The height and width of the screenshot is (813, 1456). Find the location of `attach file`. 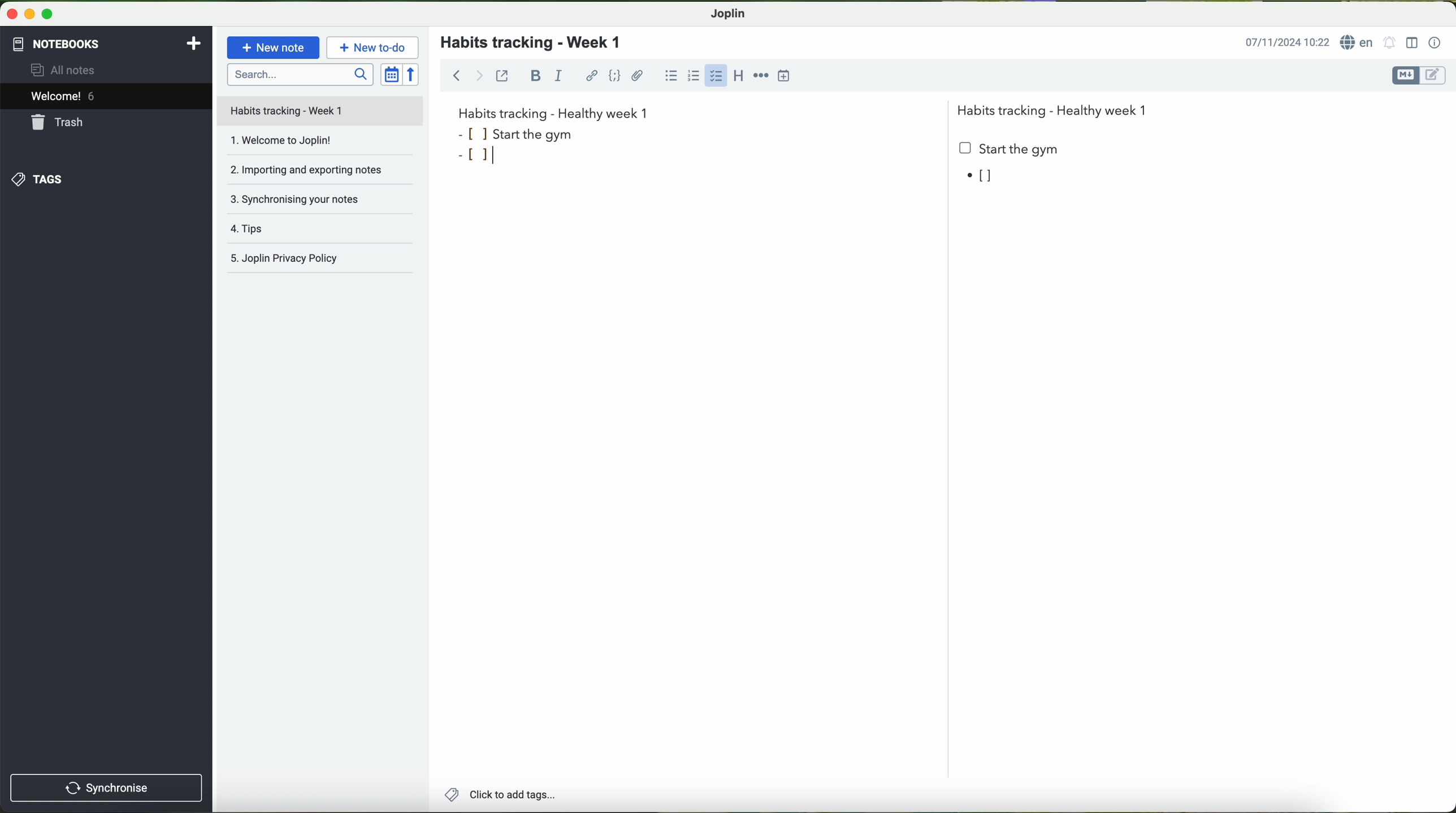

attach file is located at coordinates (638, 75).